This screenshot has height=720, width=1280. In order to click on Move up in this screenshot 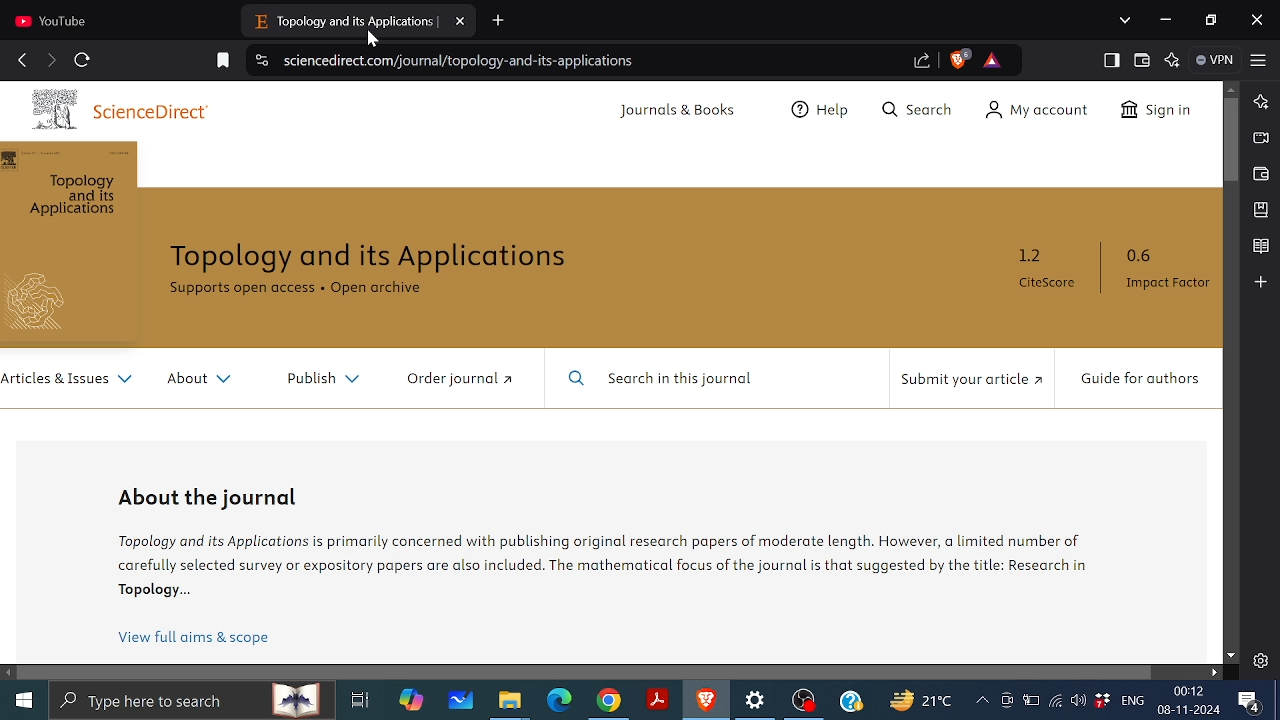, I will do `click(1231, 88)`.